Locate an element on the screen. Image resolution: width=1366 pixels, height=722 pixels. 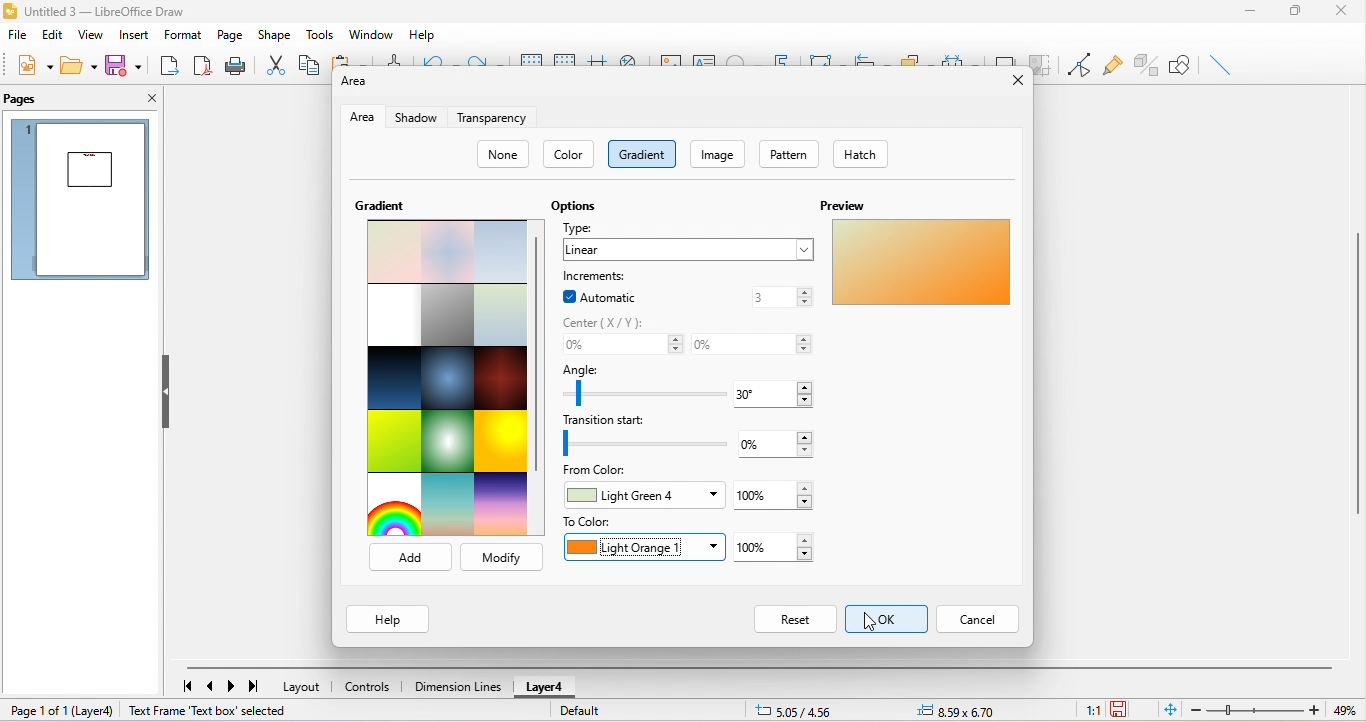
export directly as pdf is located at coordinates (204, 68).